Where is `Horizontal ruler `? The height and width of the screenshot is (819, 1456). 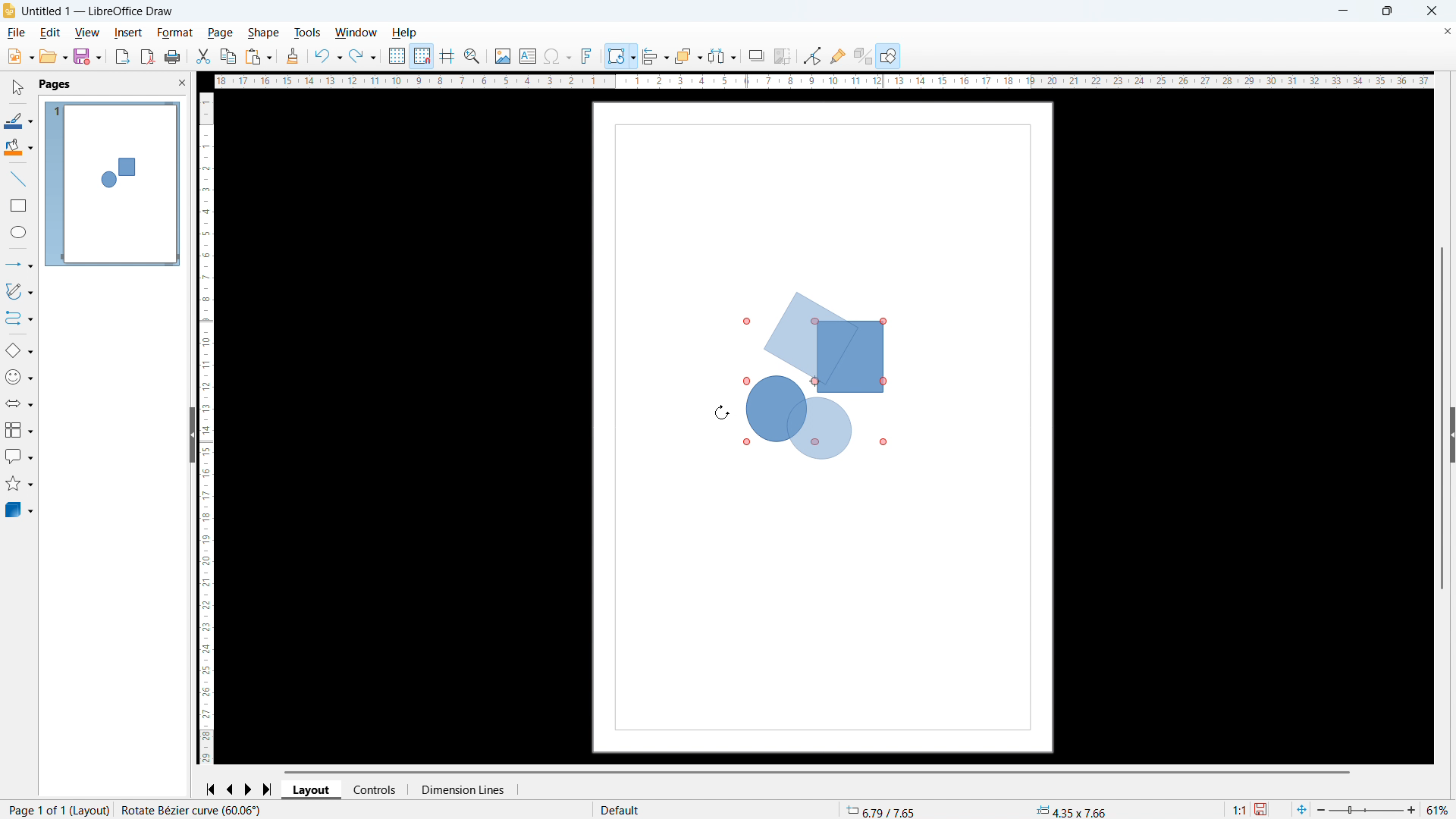
Horizontal ruler  is located at coordinates (823, 81).